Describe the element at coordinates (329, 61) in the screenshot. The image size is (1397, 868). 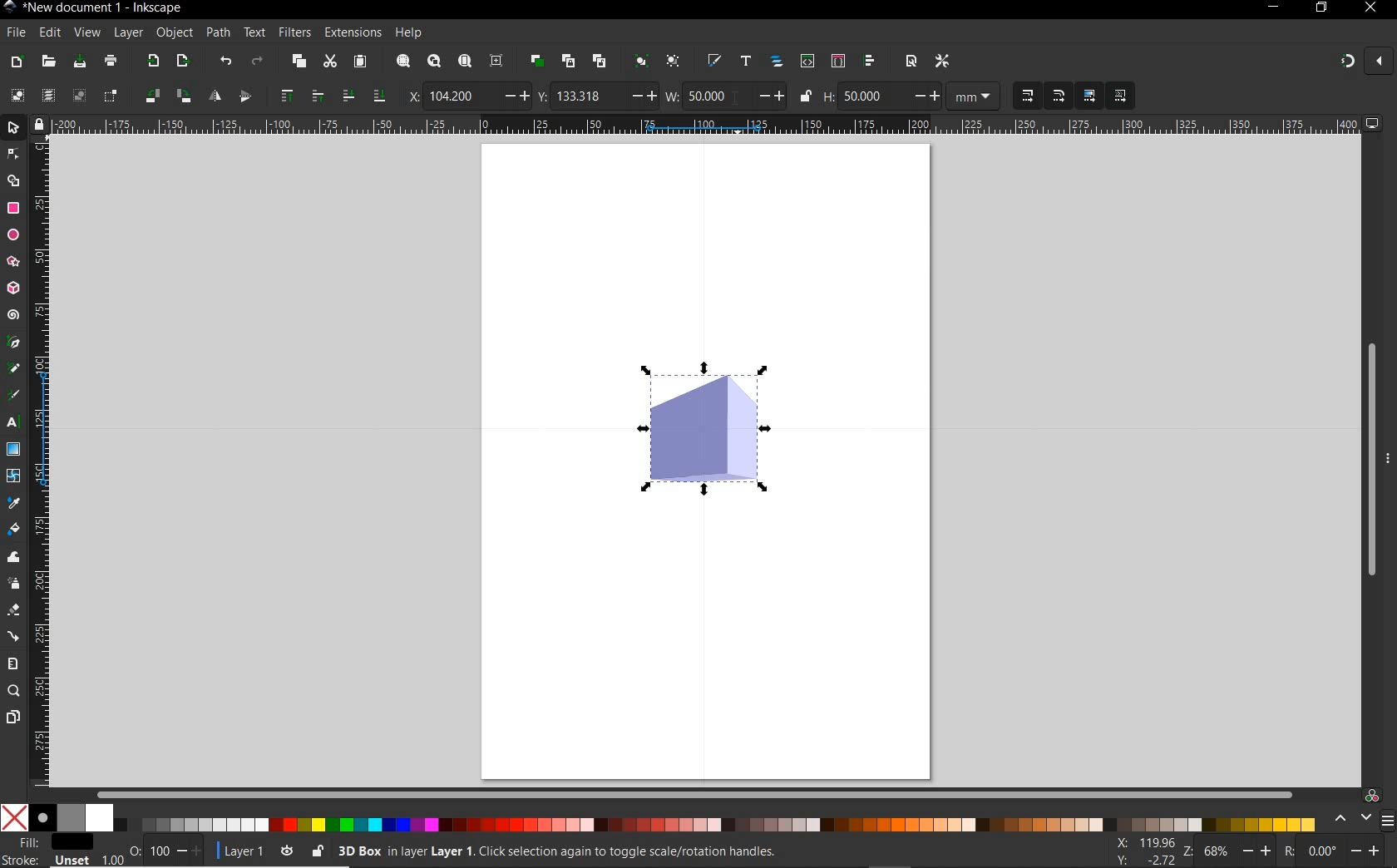
I see `cut` at that location.